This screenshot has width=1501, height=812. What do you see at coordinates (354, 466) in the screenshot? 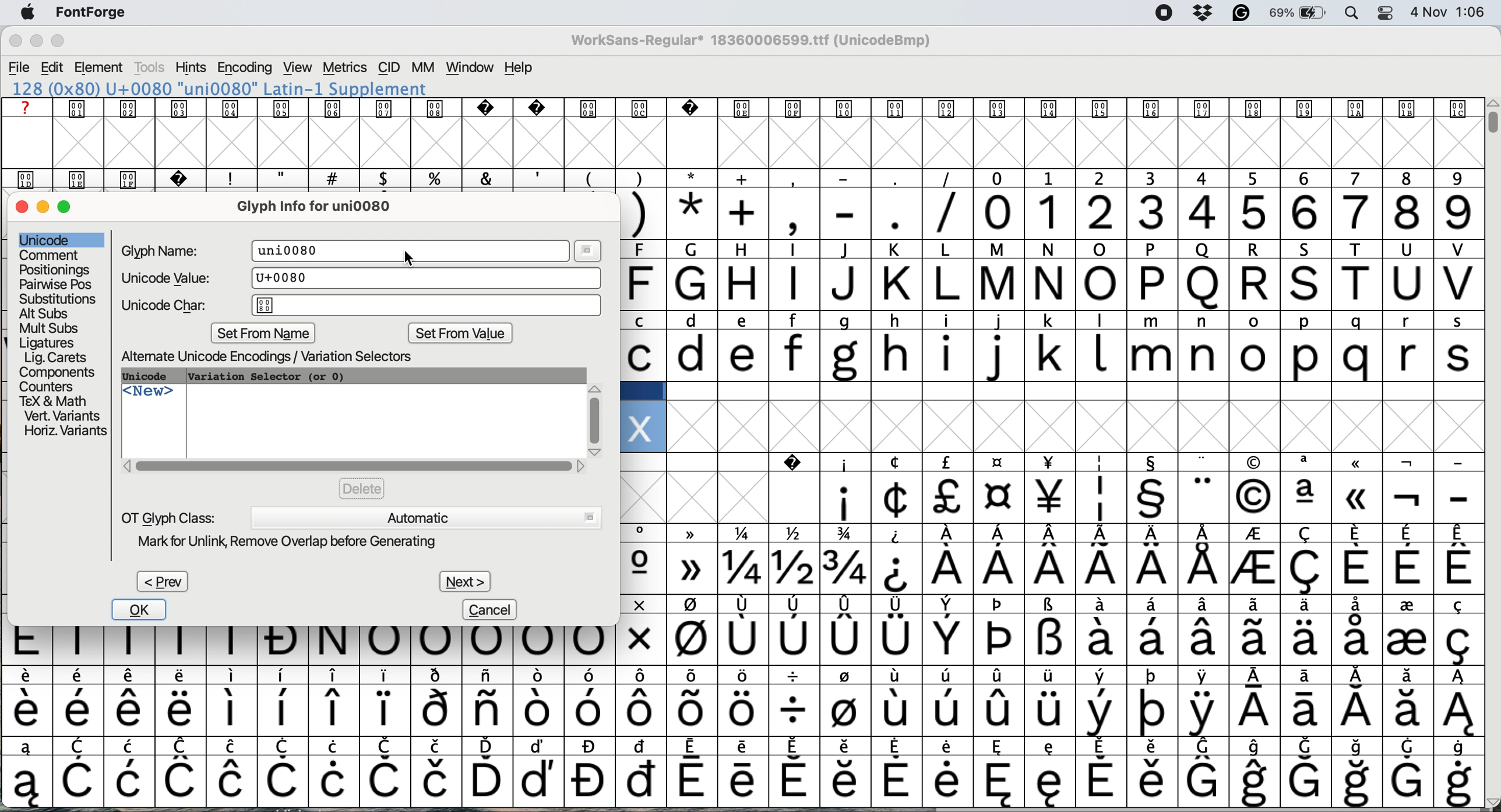
I see `horizontal scroll bar` at bounding box center [354, 466].